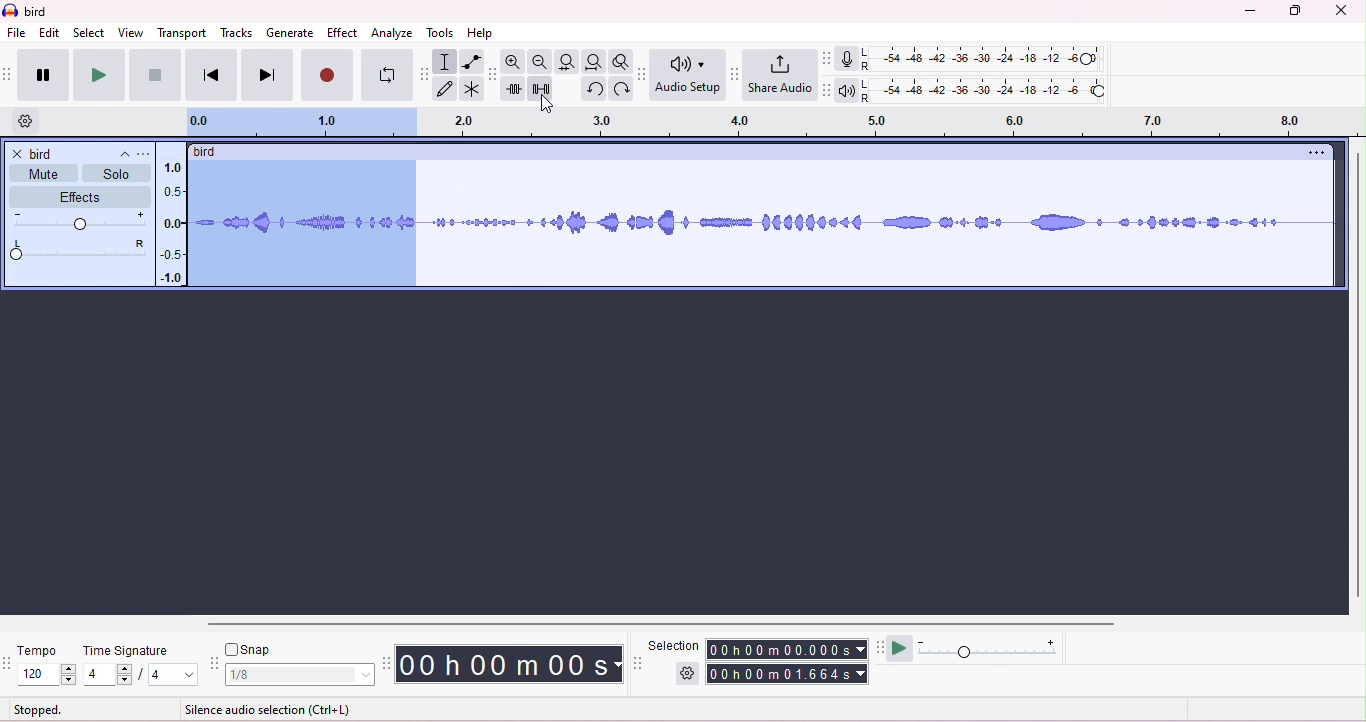 This screenshot has width=1366, height=722. I want to click on timeline options, so click(26, 120).